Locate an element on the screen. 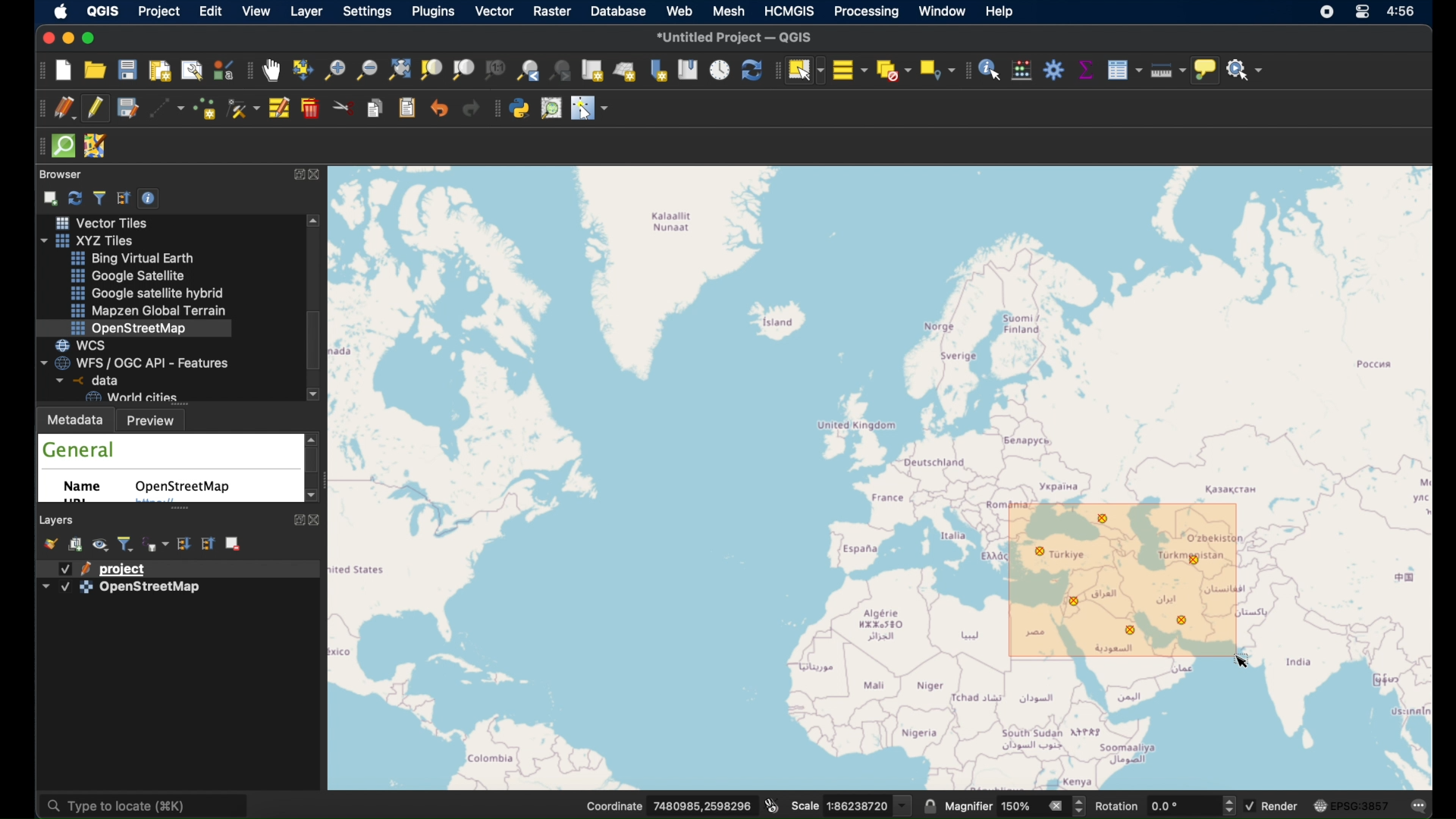 The width and height of the screenshot is (1456, 819). pan tool is located at coordinates (271, 71).